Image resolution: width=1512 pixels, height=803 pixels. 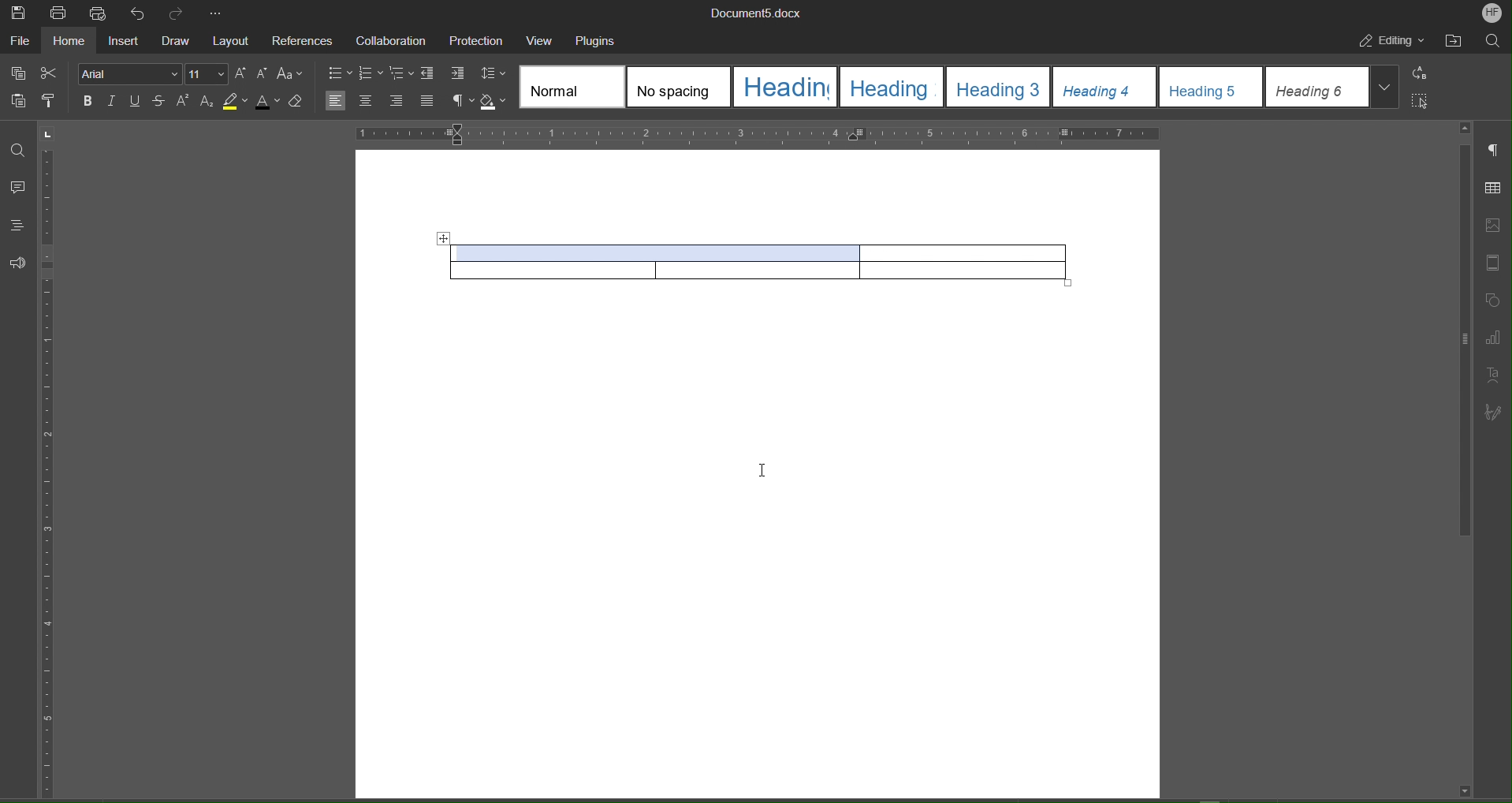 What do you see at coordinates (20, 43) in the screenshot?
I see `File` at bounding box center [20, 43].